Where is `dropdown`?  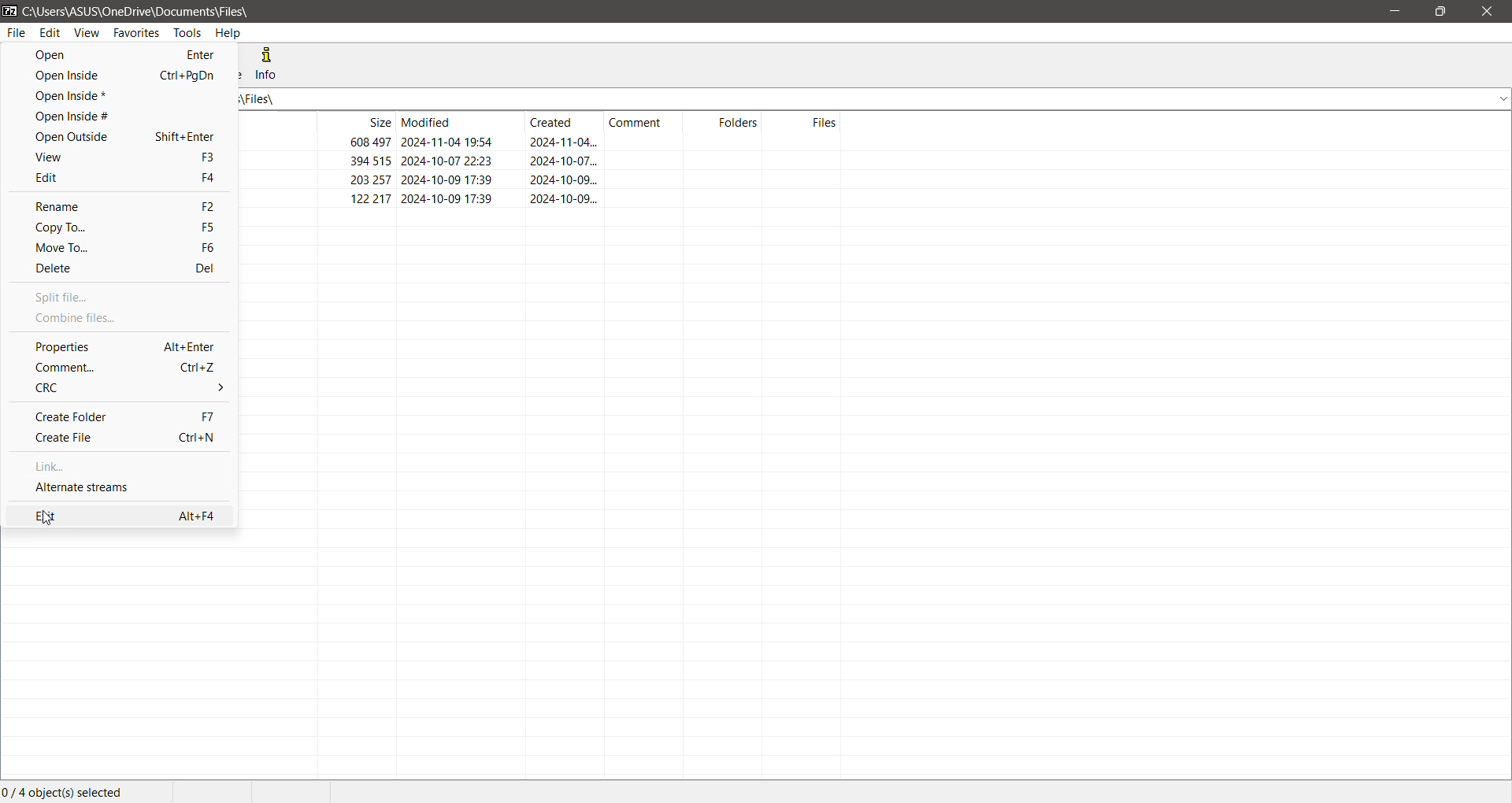 dropdown is located at coordinates (1499, 100).